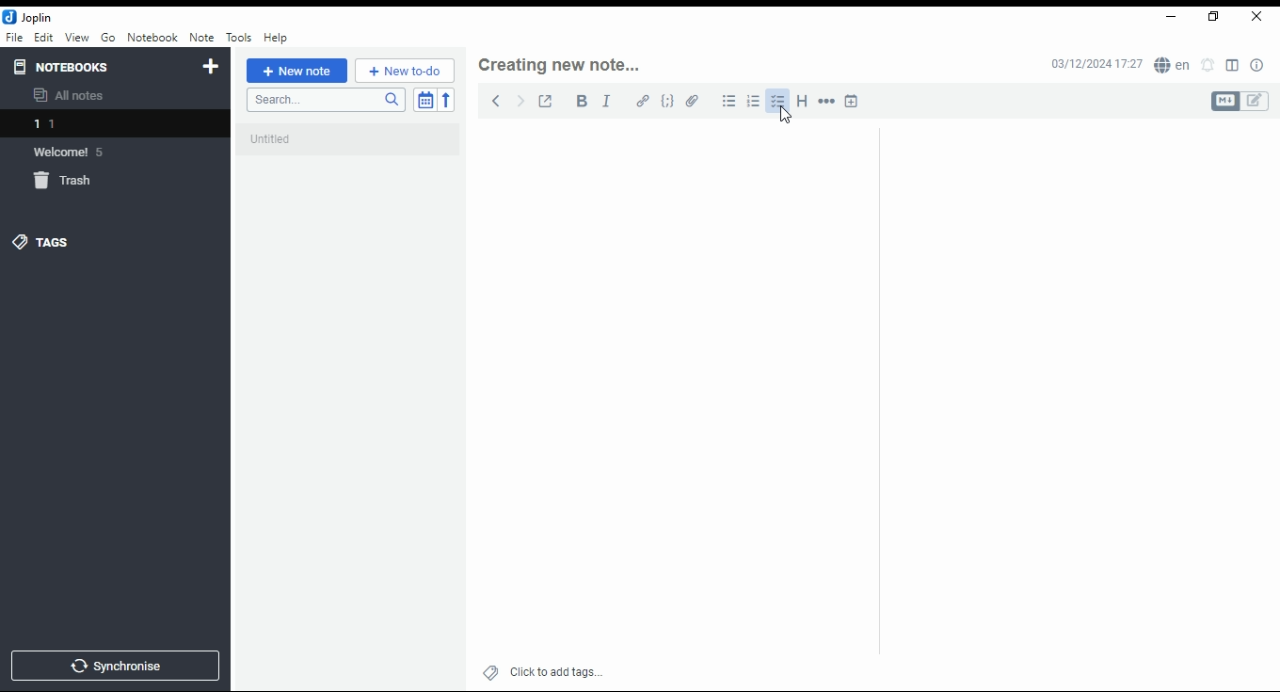 This screenshot has height=692, width=1280. I want to click on previous, so click(494, 100).